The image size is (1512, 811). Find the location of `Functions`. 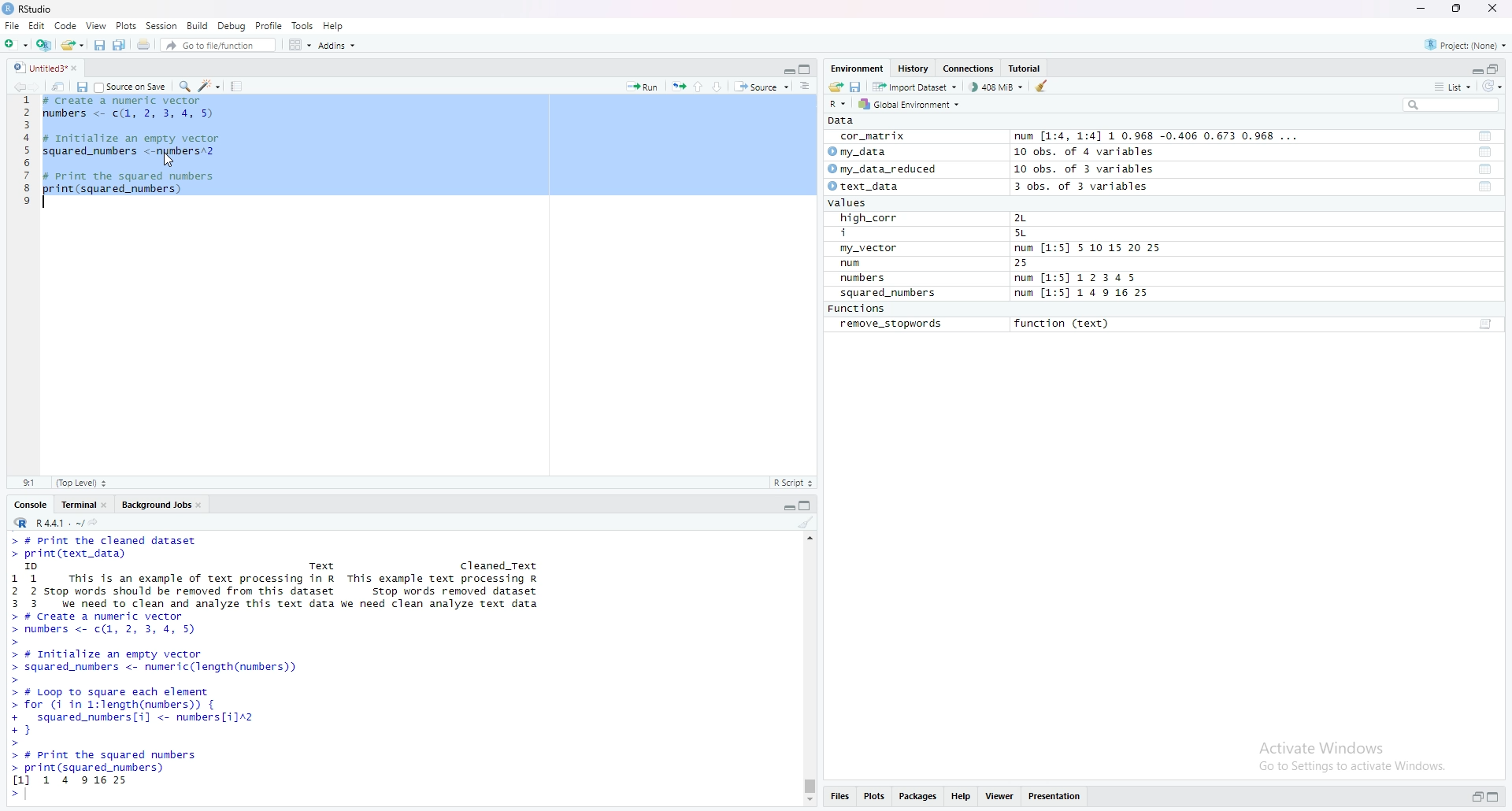

Functions is located at coordinates (859, 309).